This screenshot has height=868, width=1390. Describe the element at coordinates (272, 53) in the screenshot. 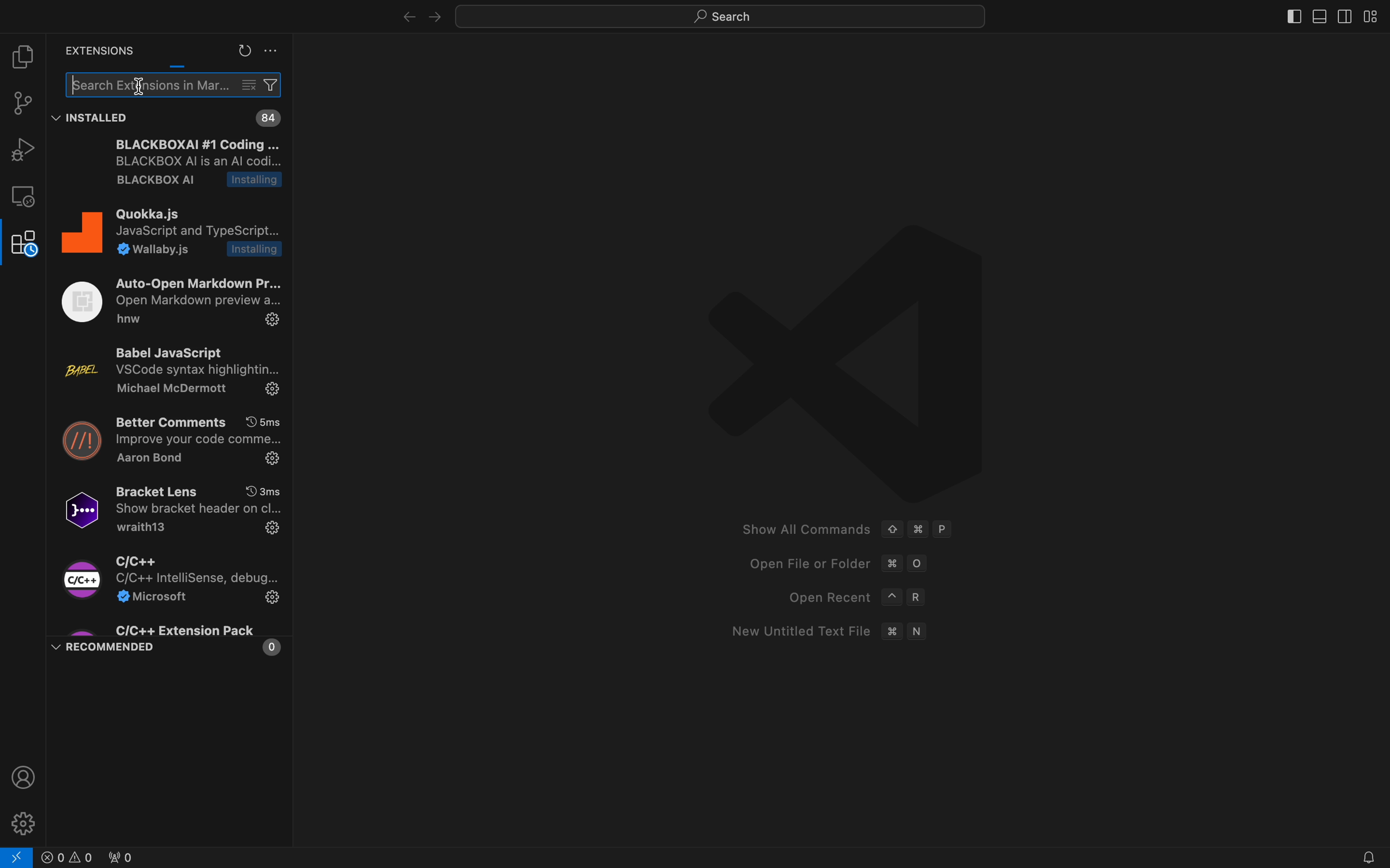

I see `settings` at that location.